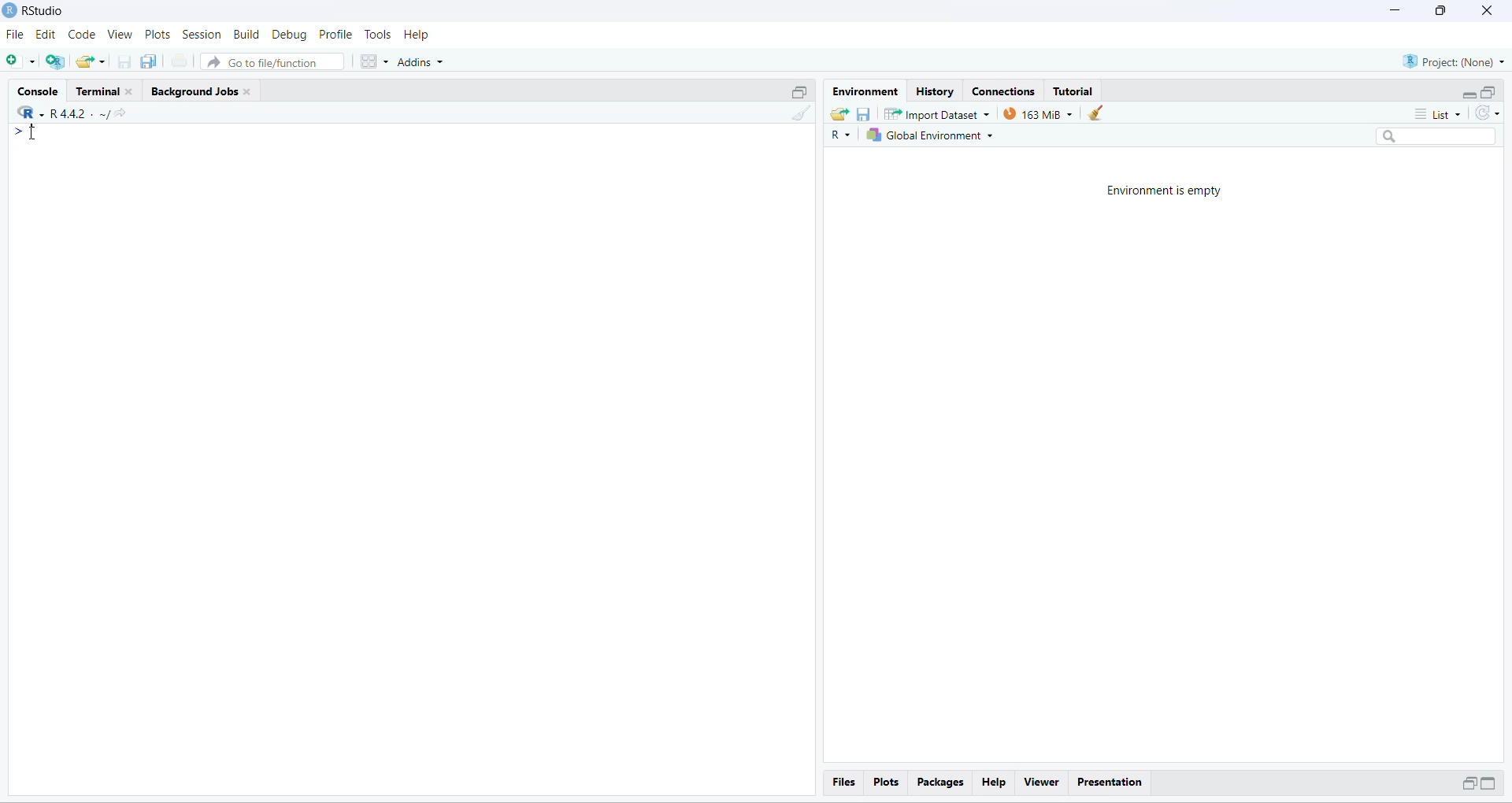 The height and width of the screenshot is (803, 1512). Describe the element at coordinates (940, 783) in the screenshot. I see `Packages` at that location.